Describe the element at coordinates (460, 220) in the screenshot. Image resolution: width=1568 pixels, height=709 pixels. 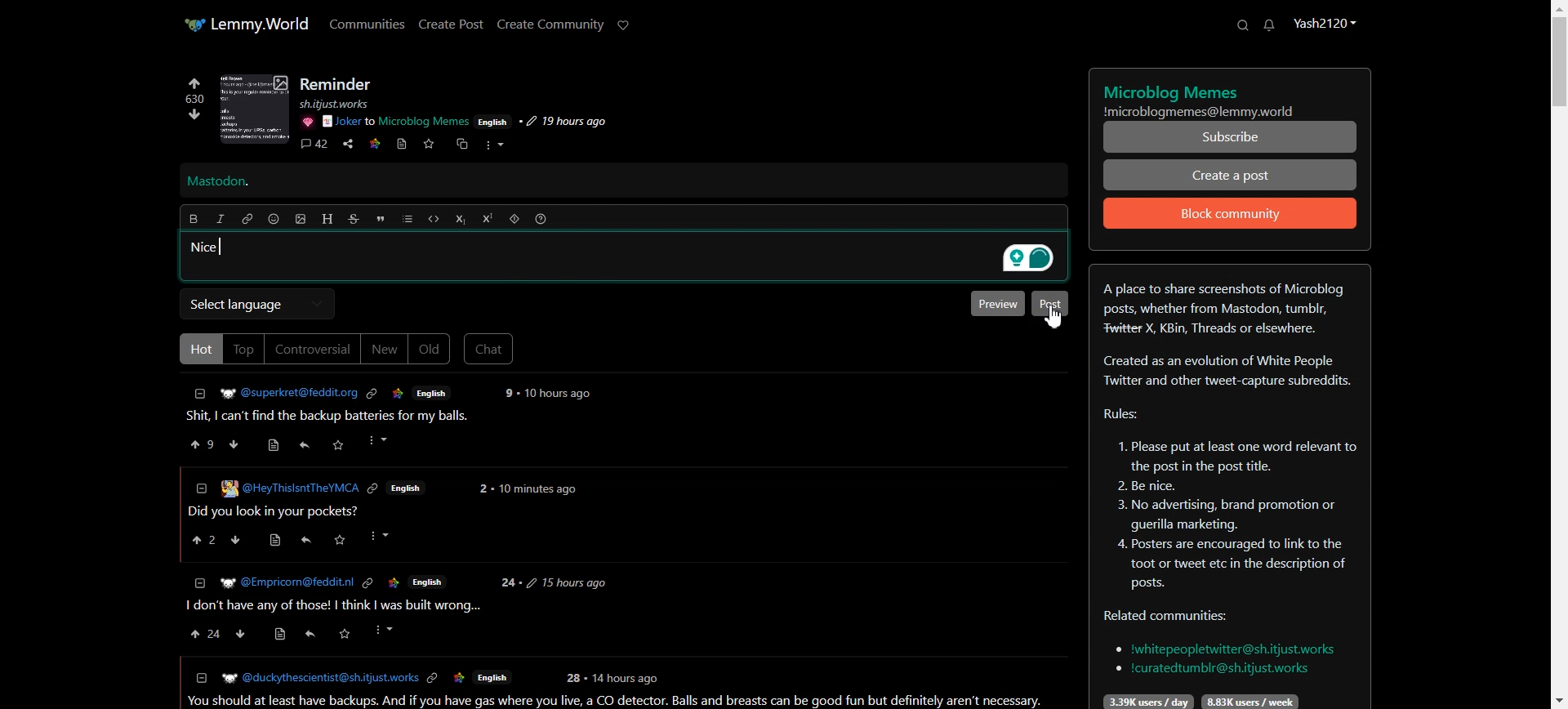
I see `Subscript` at that location.